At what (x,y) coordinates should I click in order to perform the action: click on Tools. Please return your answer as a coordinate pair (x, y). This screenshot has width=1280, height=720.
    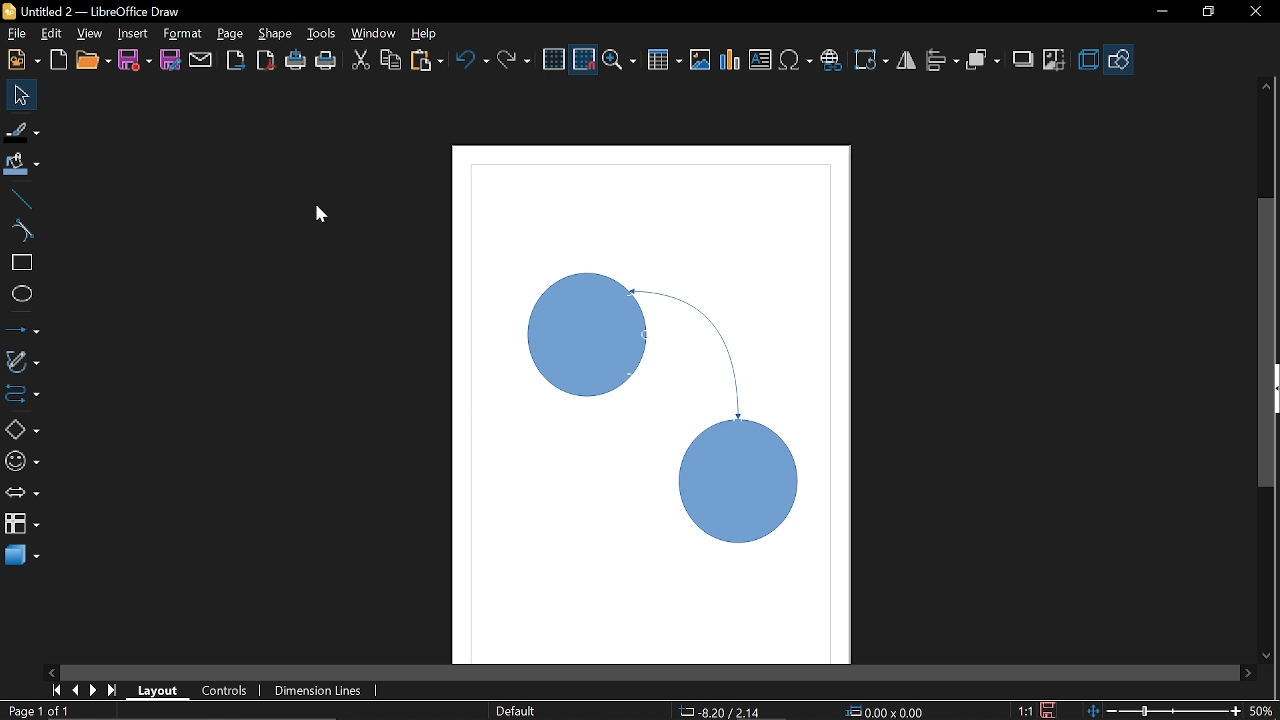
    Looking at the image, I should click on (323, 35).